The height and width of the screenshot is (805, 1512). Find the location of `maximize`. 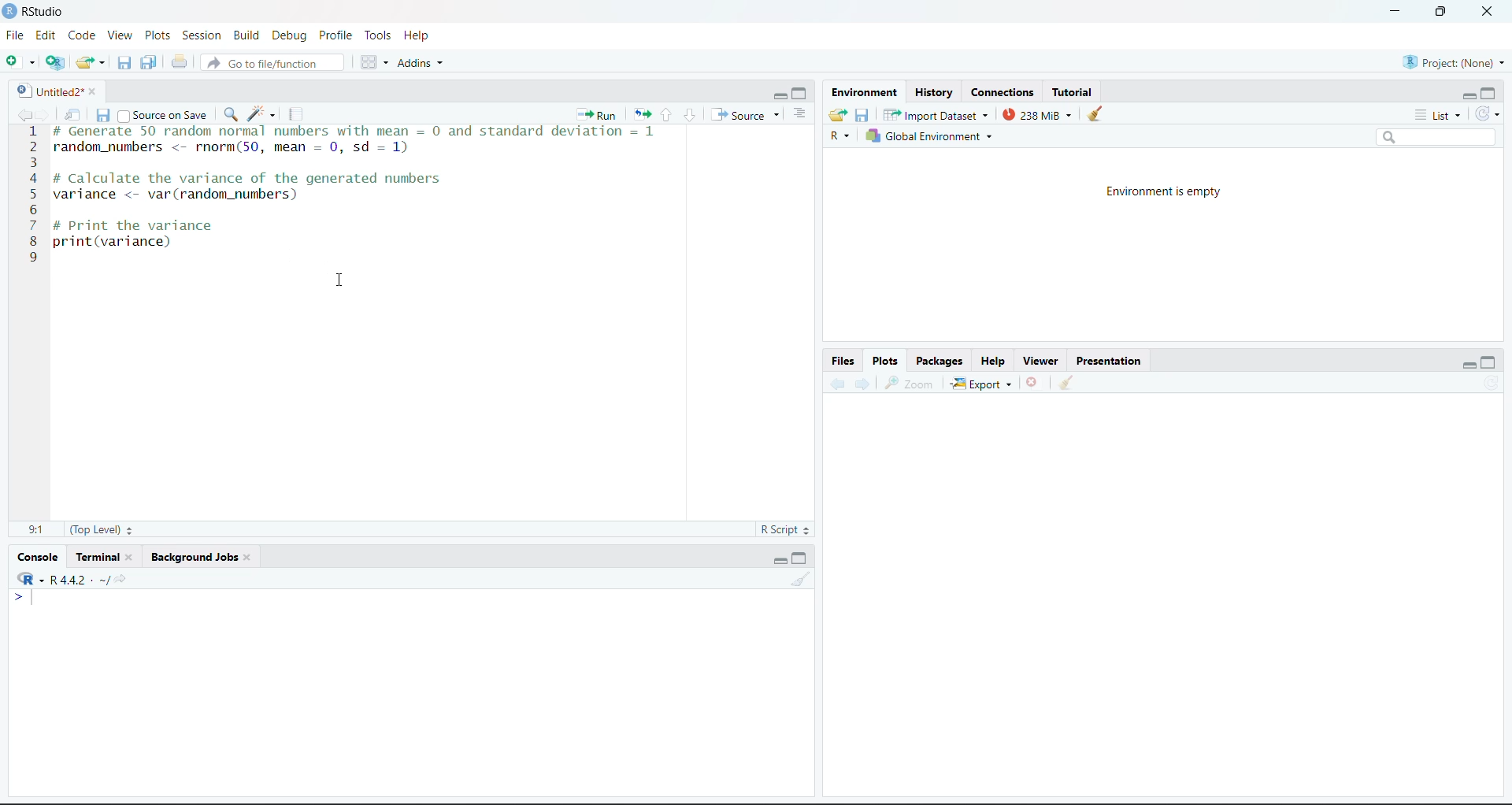

maximize is located at coordinates (1488, 362).